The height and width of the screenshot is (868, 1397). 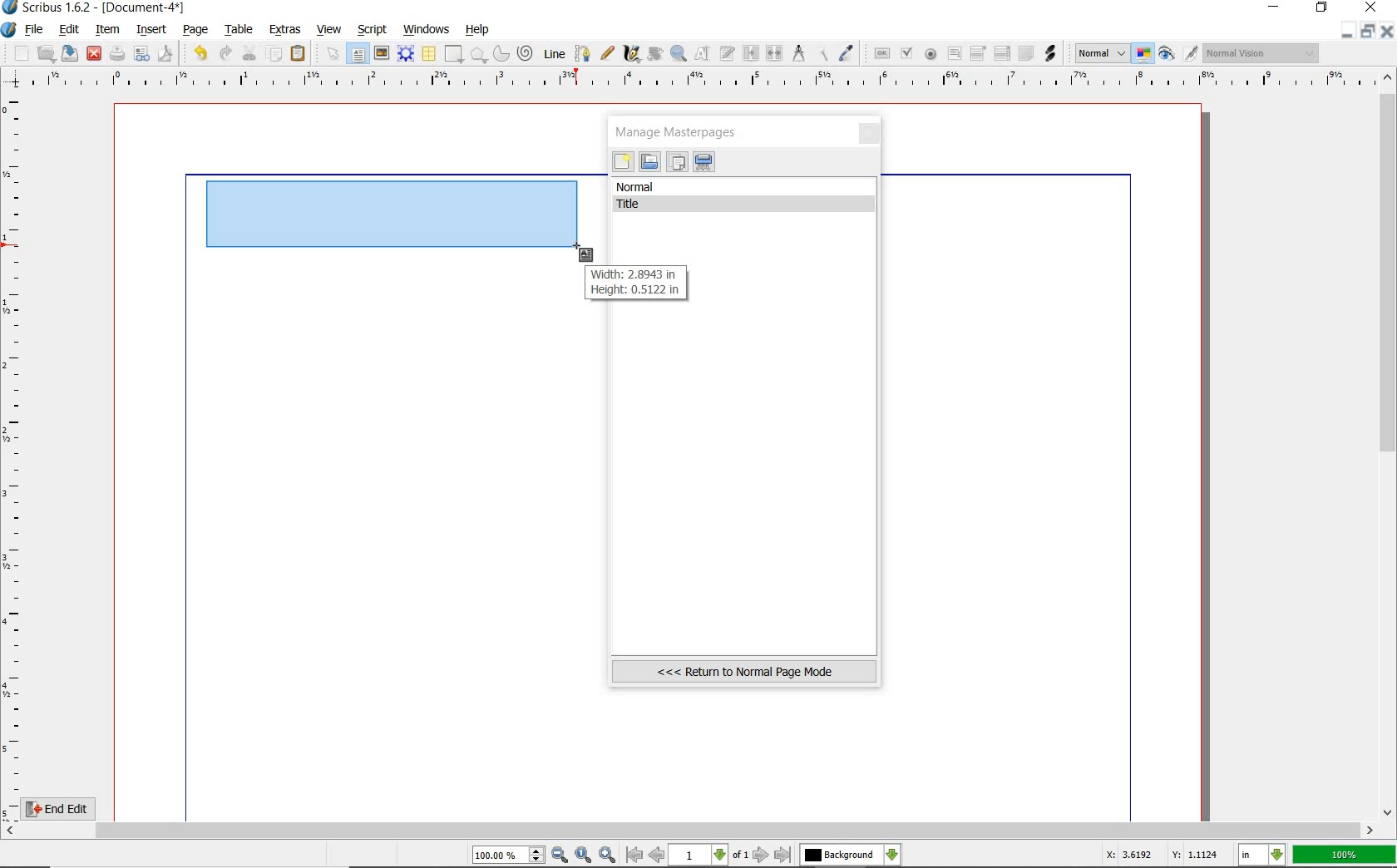 What do you see at coordinates (783, 855) in the screenshot?
I see `go to last page` at bounding box center [783, 855].